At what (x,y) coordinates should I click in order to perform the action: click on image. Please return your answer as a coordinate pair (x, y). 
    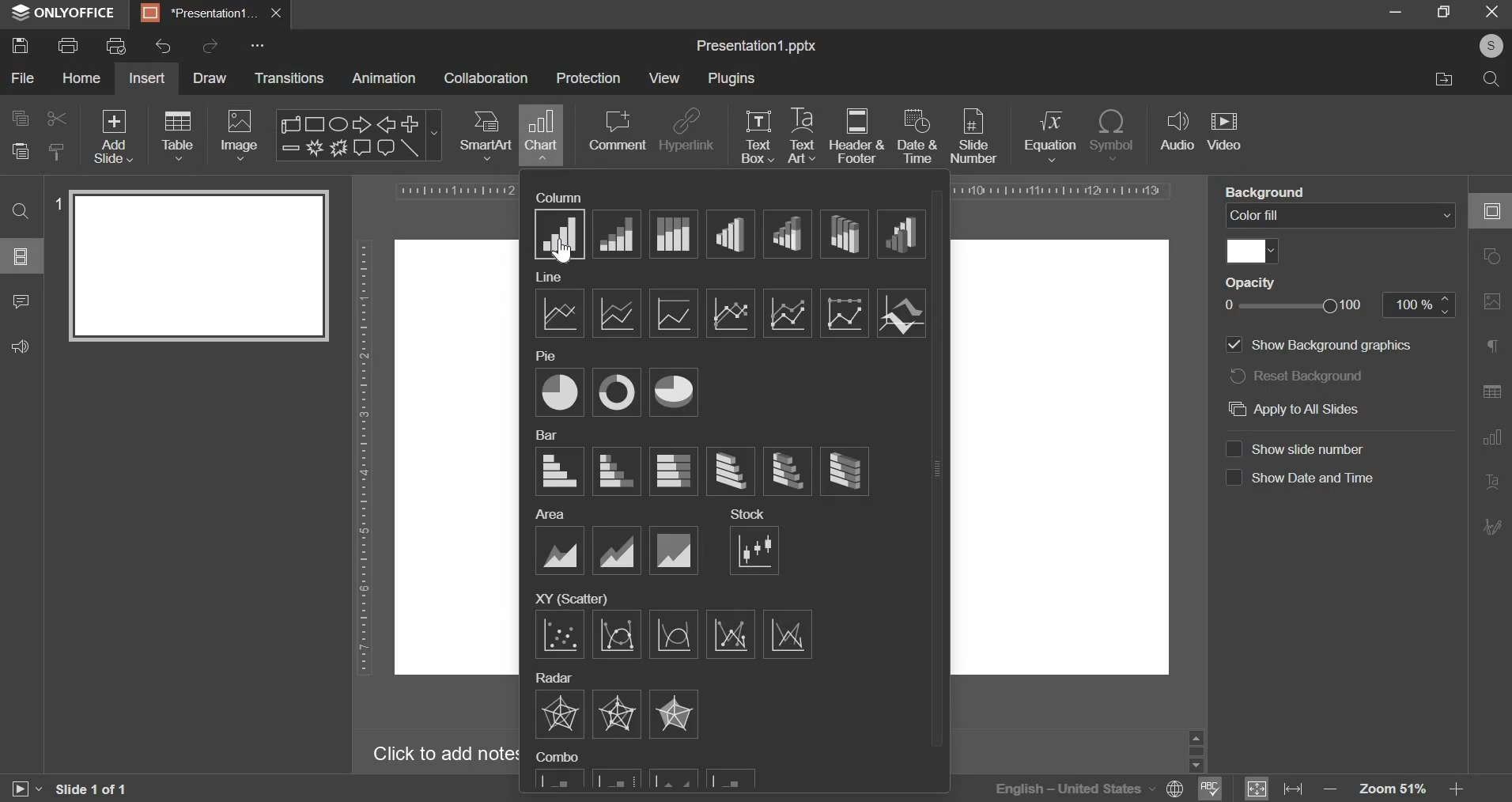
    Looking at the image, I should click on (238, 136).